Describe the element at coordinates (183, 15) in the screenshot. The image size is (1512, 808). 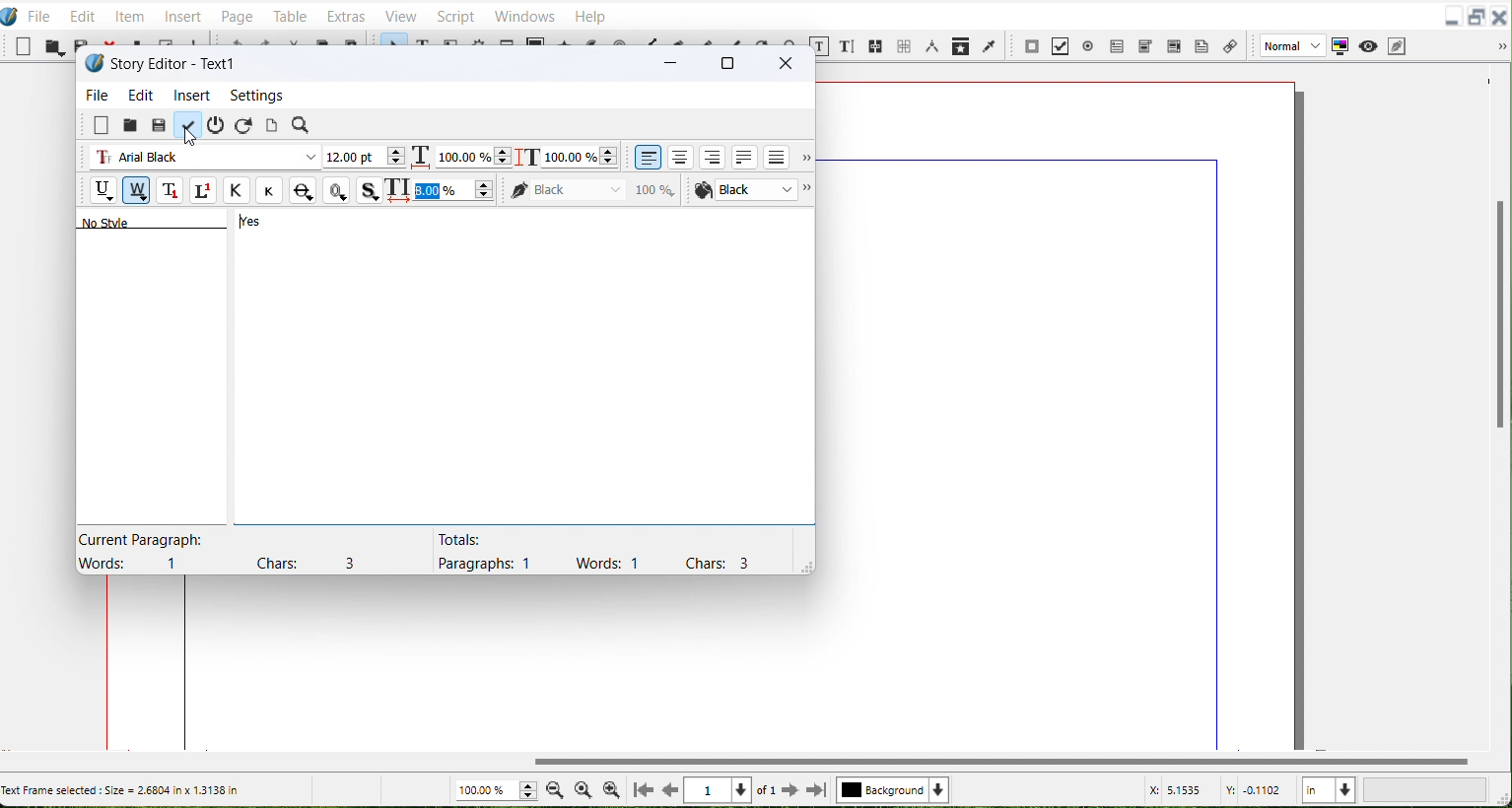
I see `Insert` at that location.